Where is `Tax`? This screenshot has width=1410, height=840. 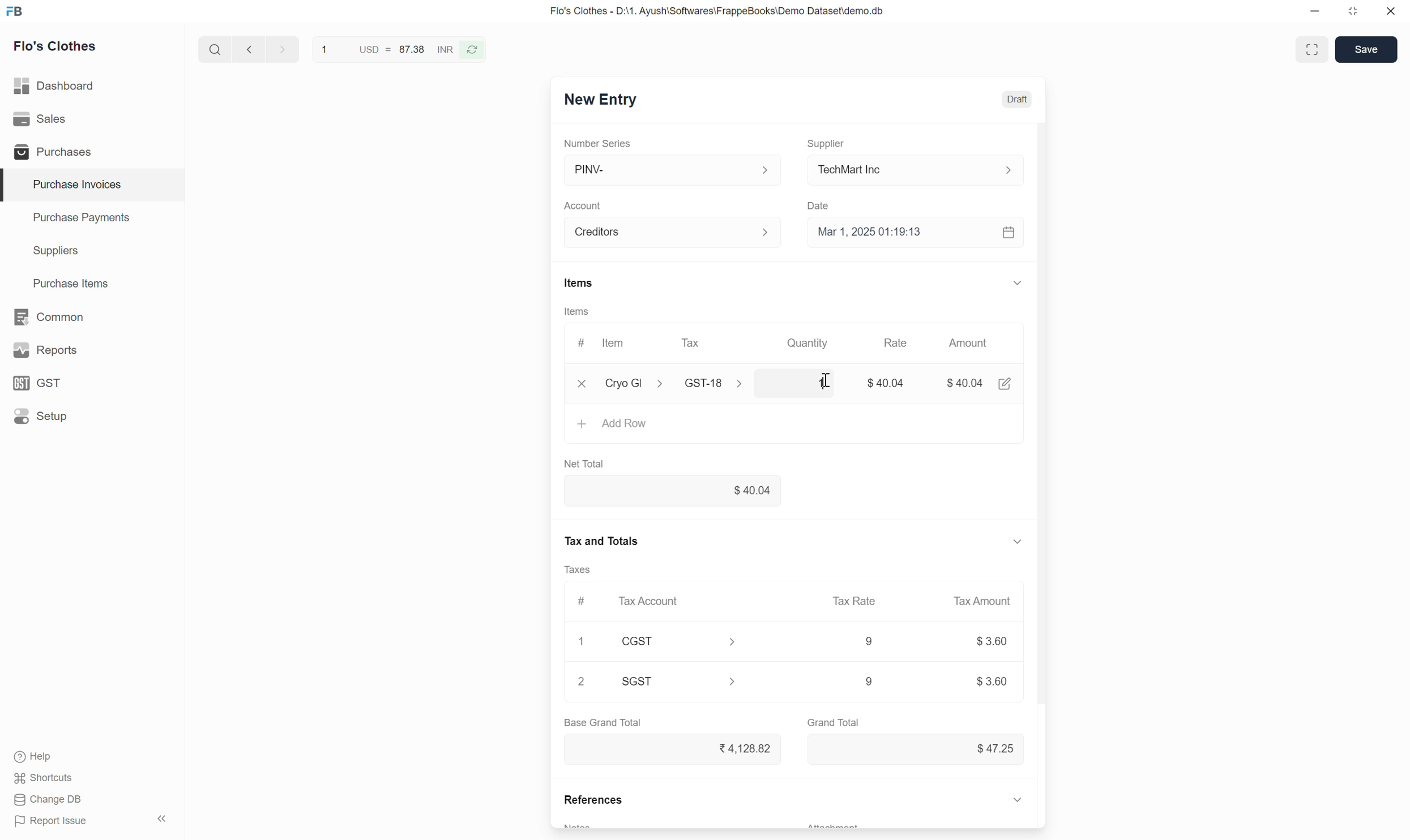
Tax is located at coordinates (694, 342).